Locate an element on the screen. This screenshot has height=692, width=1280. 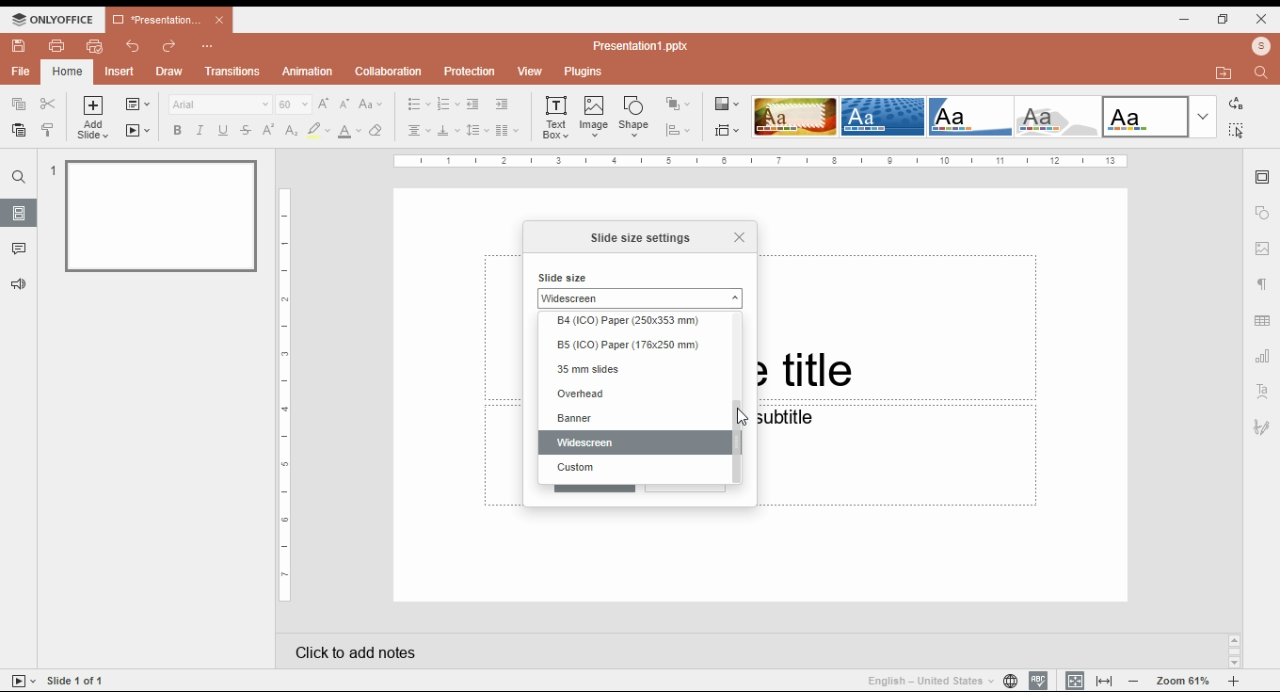
plugins is located at coordinates (584, 72).